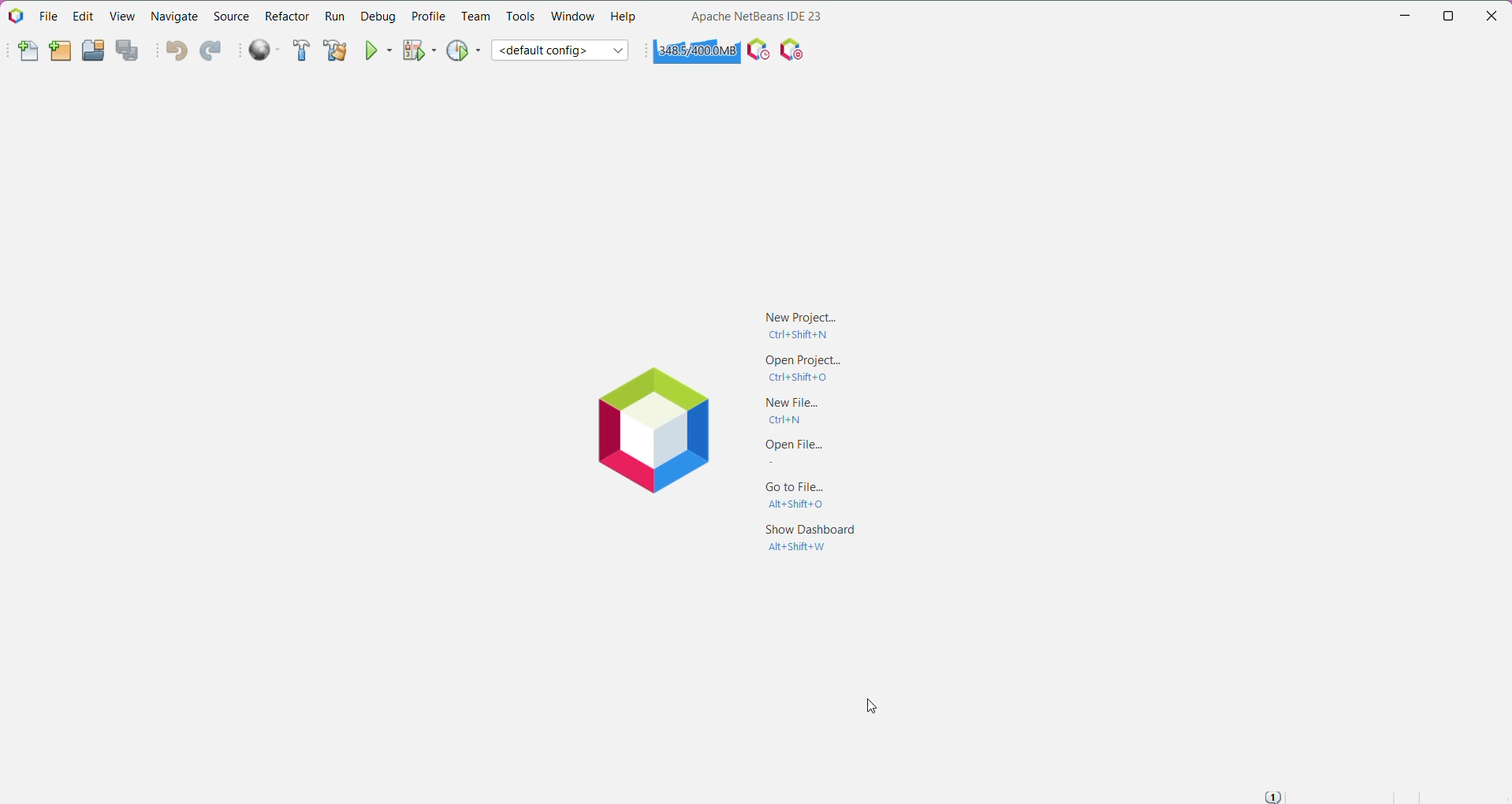 The height and width of the screenshot is (804, 1512). Describe the element at coordinates (1272, 796) in the screenshot. I see `Notifications` at that location.